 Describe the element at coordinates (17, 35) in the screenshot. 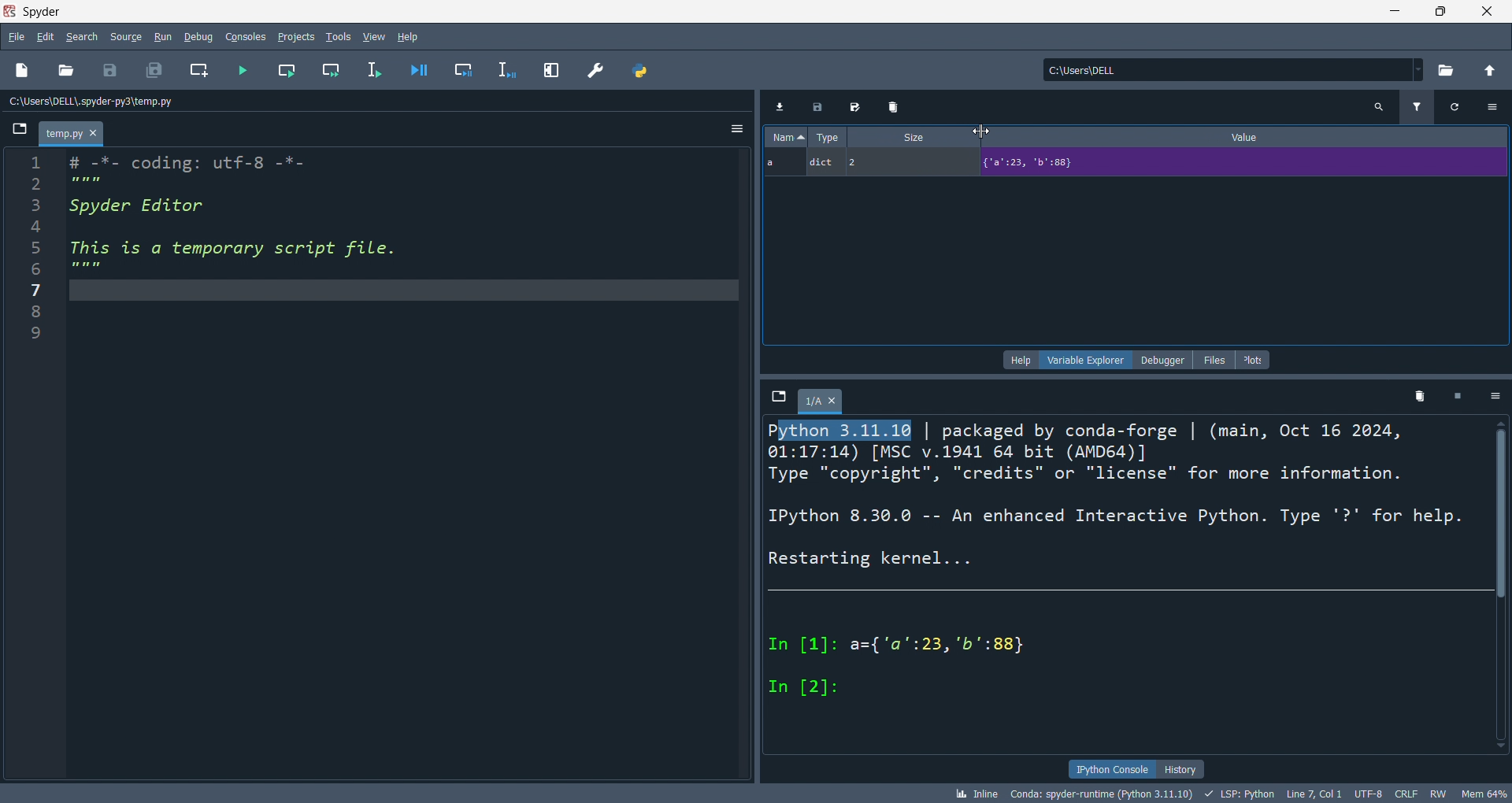

I see `file` at that location.